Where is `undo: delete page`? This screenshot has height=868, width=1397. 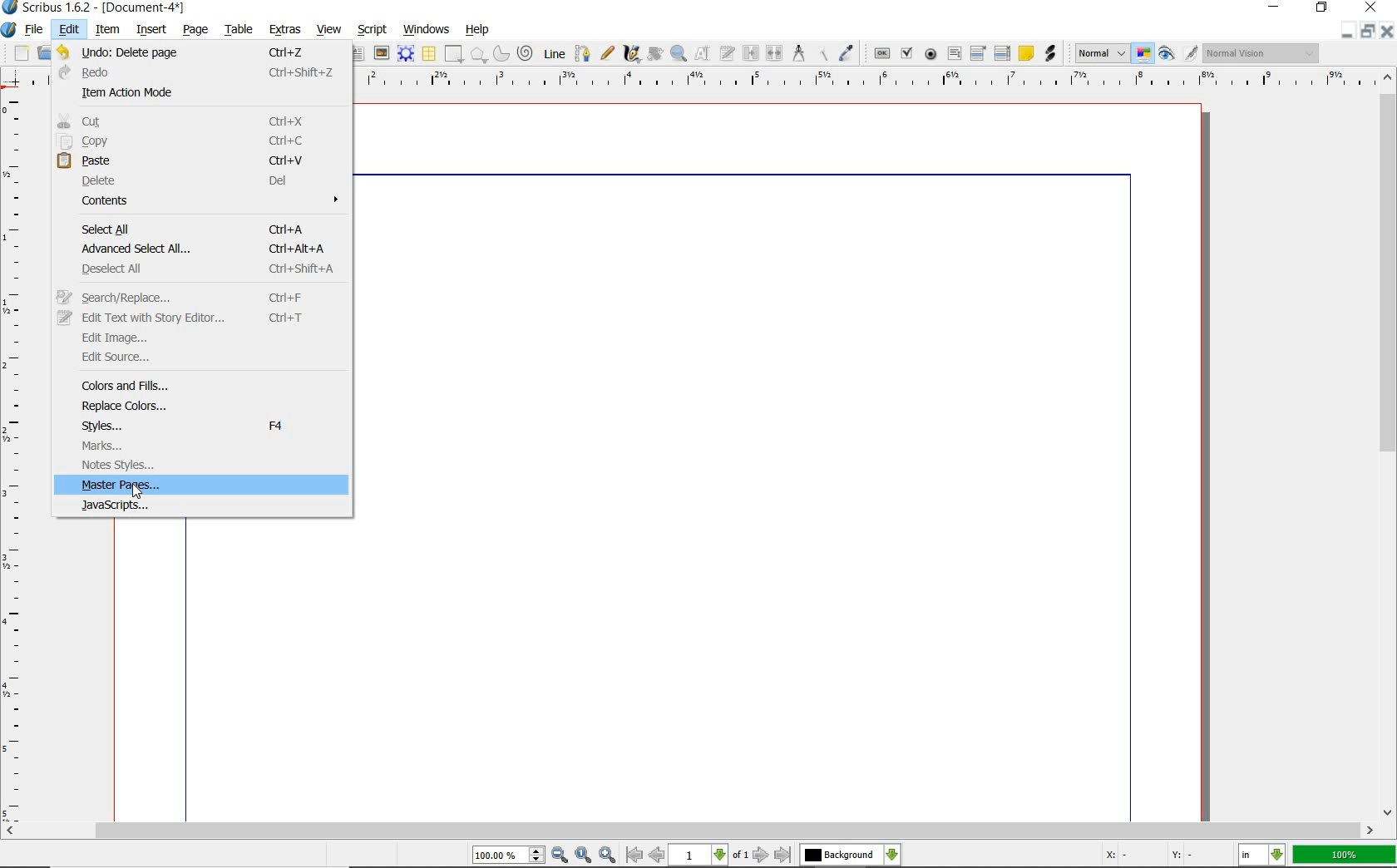 undo: delete page is located at coordinates (203, 50).